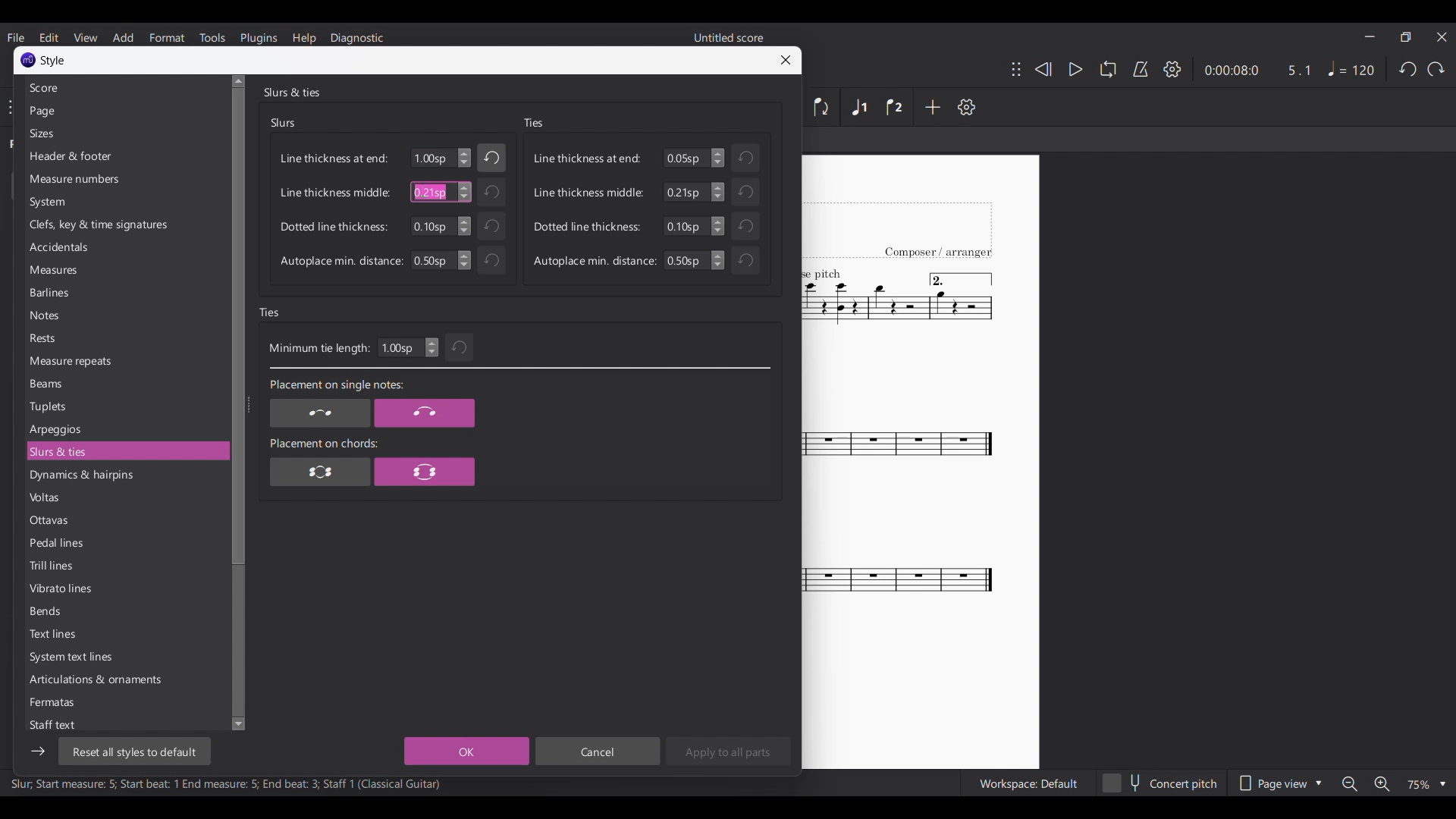 The height and width of the screenshot is (819, 1456). What do you see at coordinates (284, 123) in the screenshot?
I see `Slurs` at bounding box center [284, 123].